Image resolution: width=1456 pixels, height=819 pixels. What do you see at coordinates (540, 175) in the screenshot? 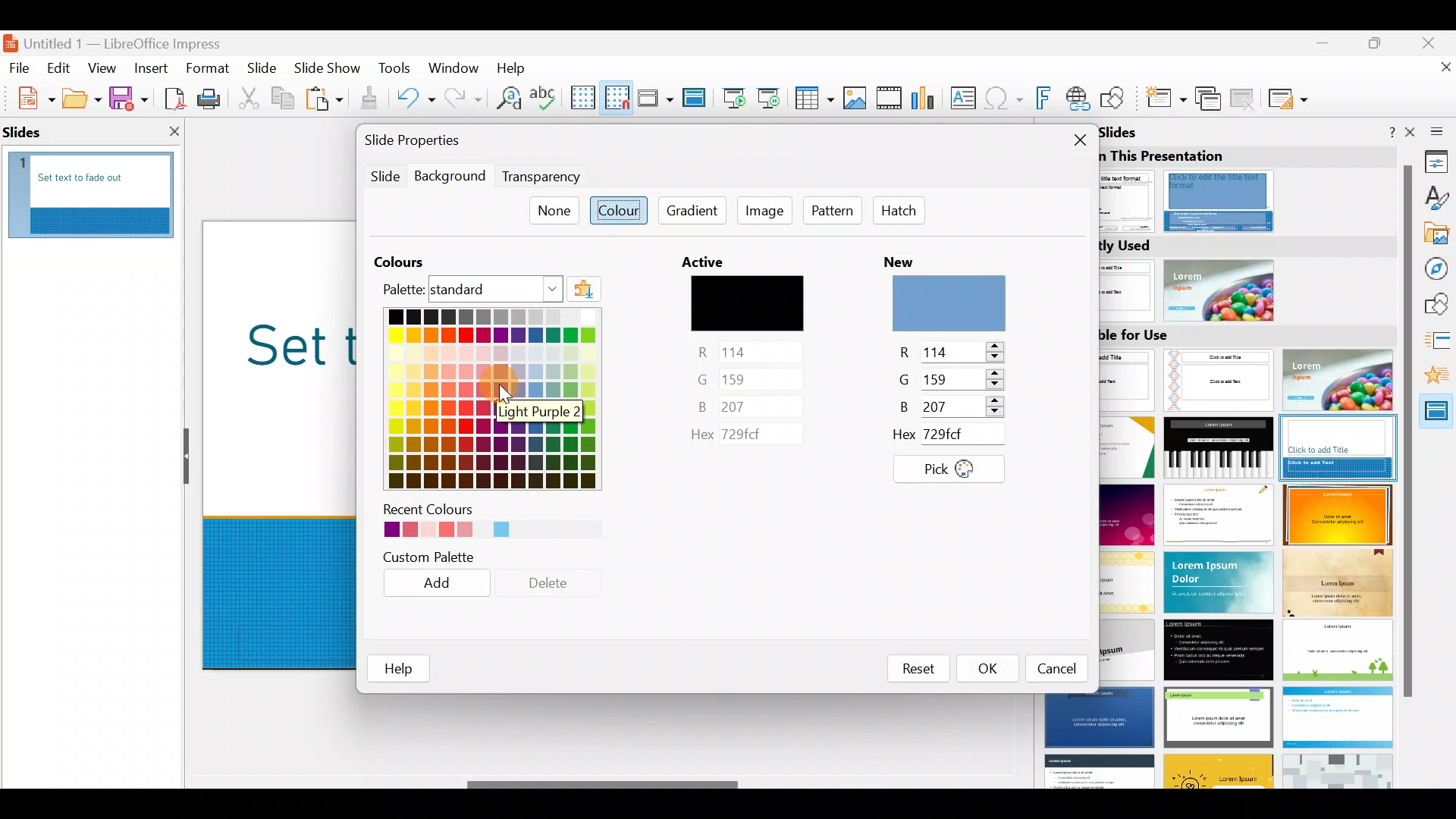
I see `Transparency` at bounding box center [540, 175].